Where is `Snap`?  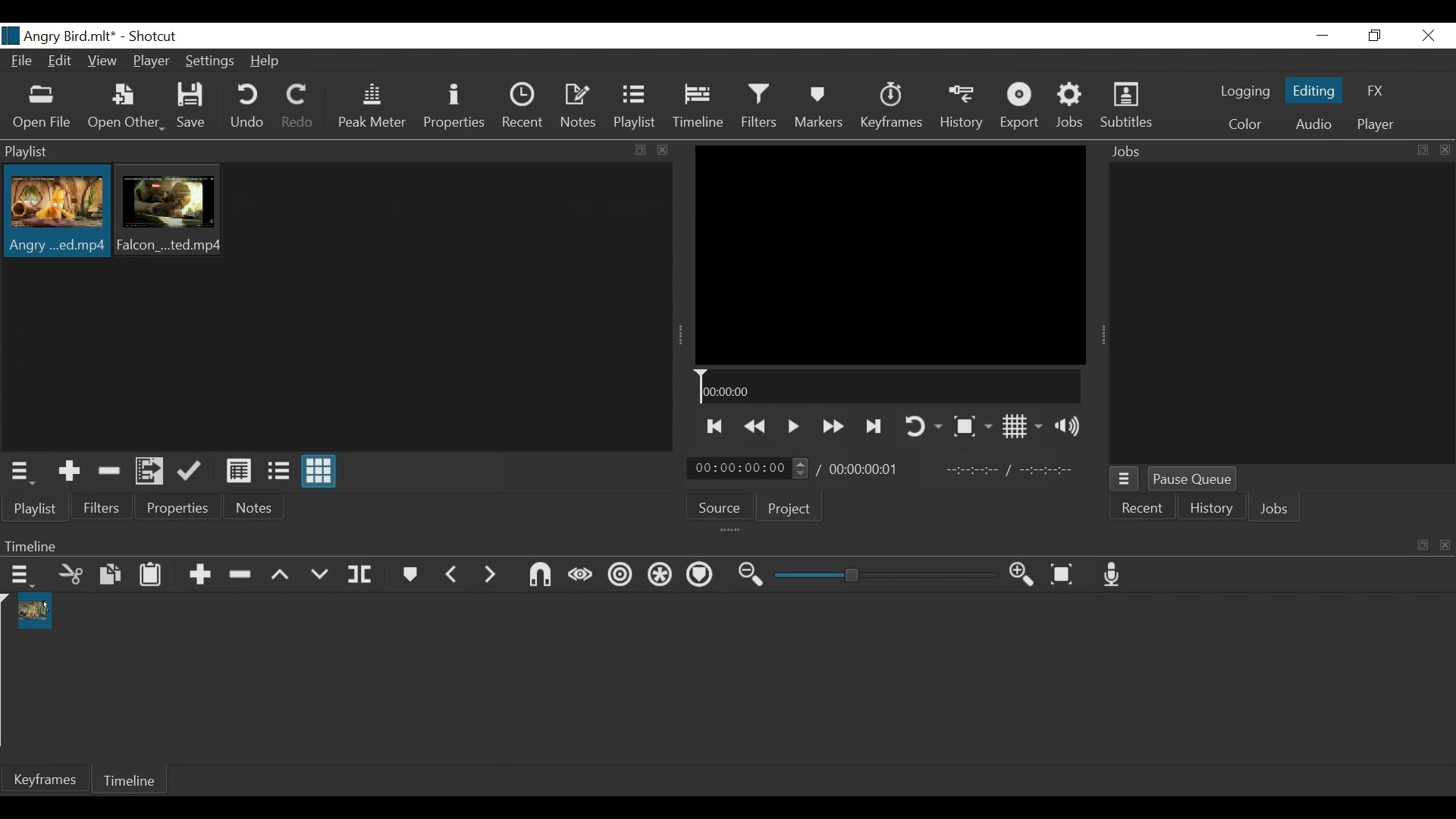
Snap is located at coordinates (541, 576).